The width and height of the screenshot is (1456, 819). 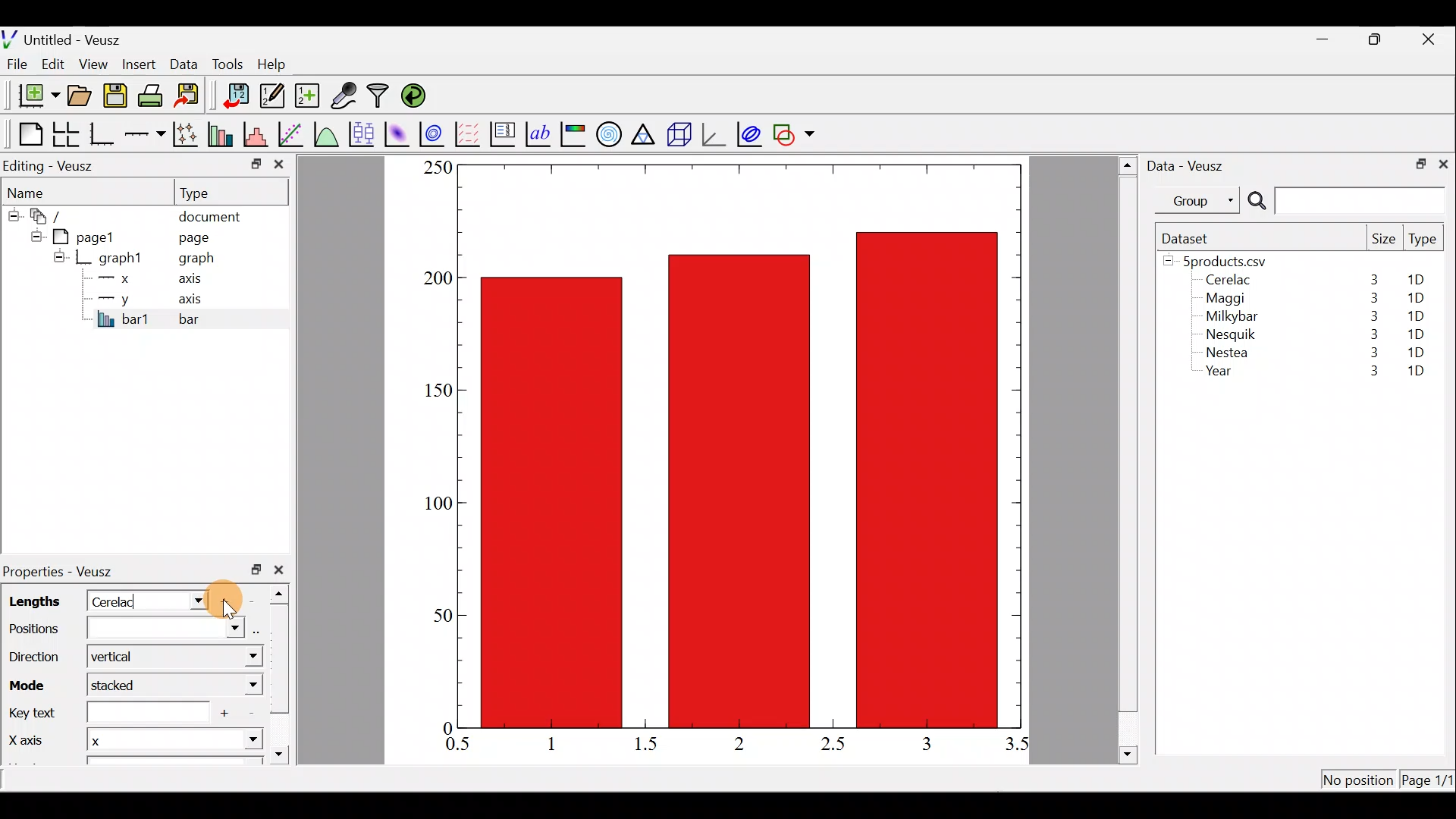 I want to click on Year, so click(x=1222, y=375).